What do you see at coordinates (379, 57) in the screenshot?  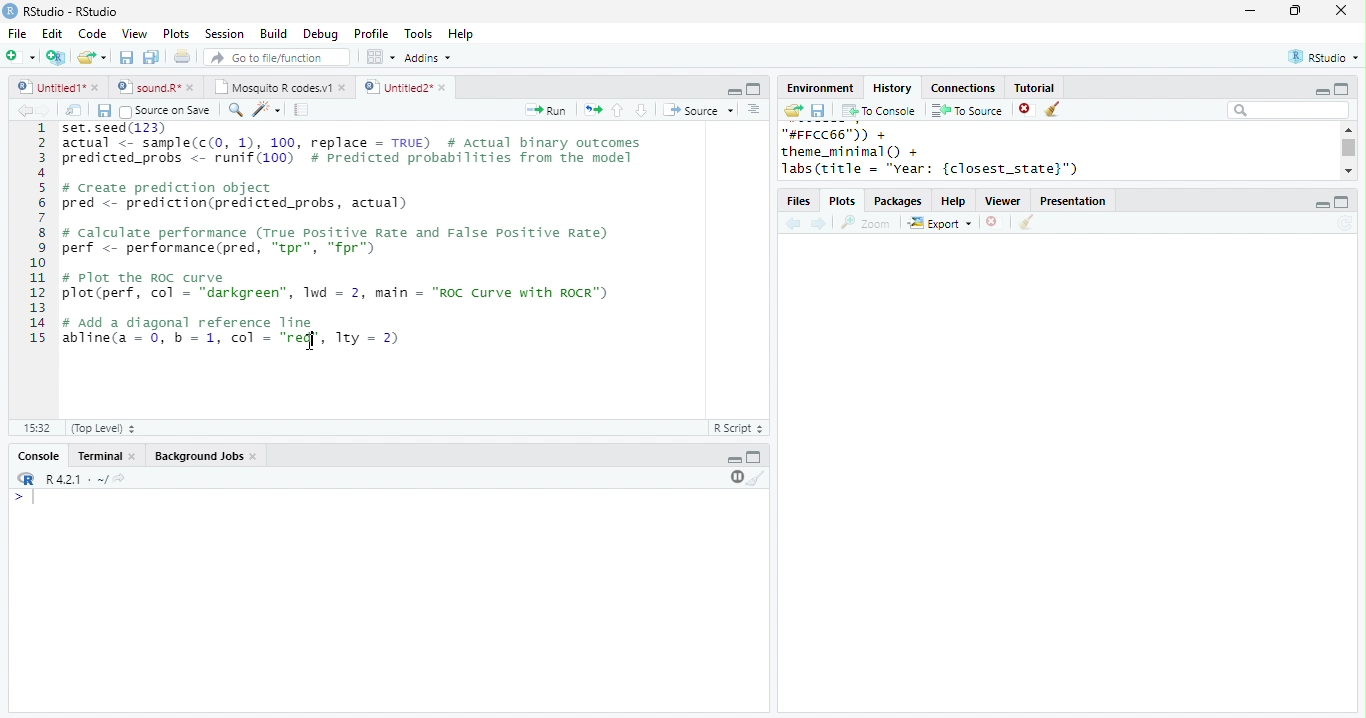 I see `options` at bounding box center [379, 57].